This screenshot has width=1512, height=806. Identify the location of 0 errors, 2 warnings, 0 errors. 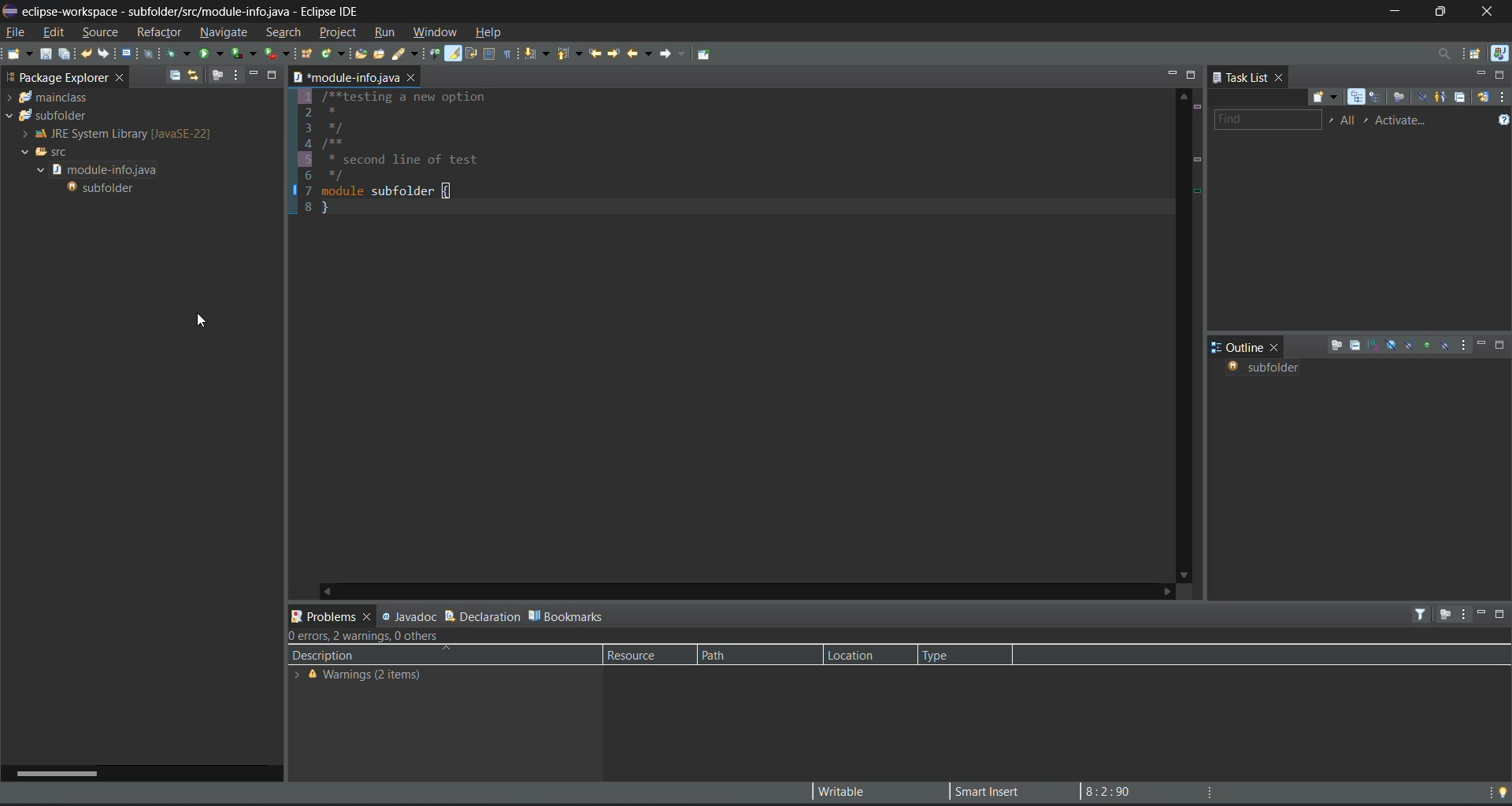
(363, 635).